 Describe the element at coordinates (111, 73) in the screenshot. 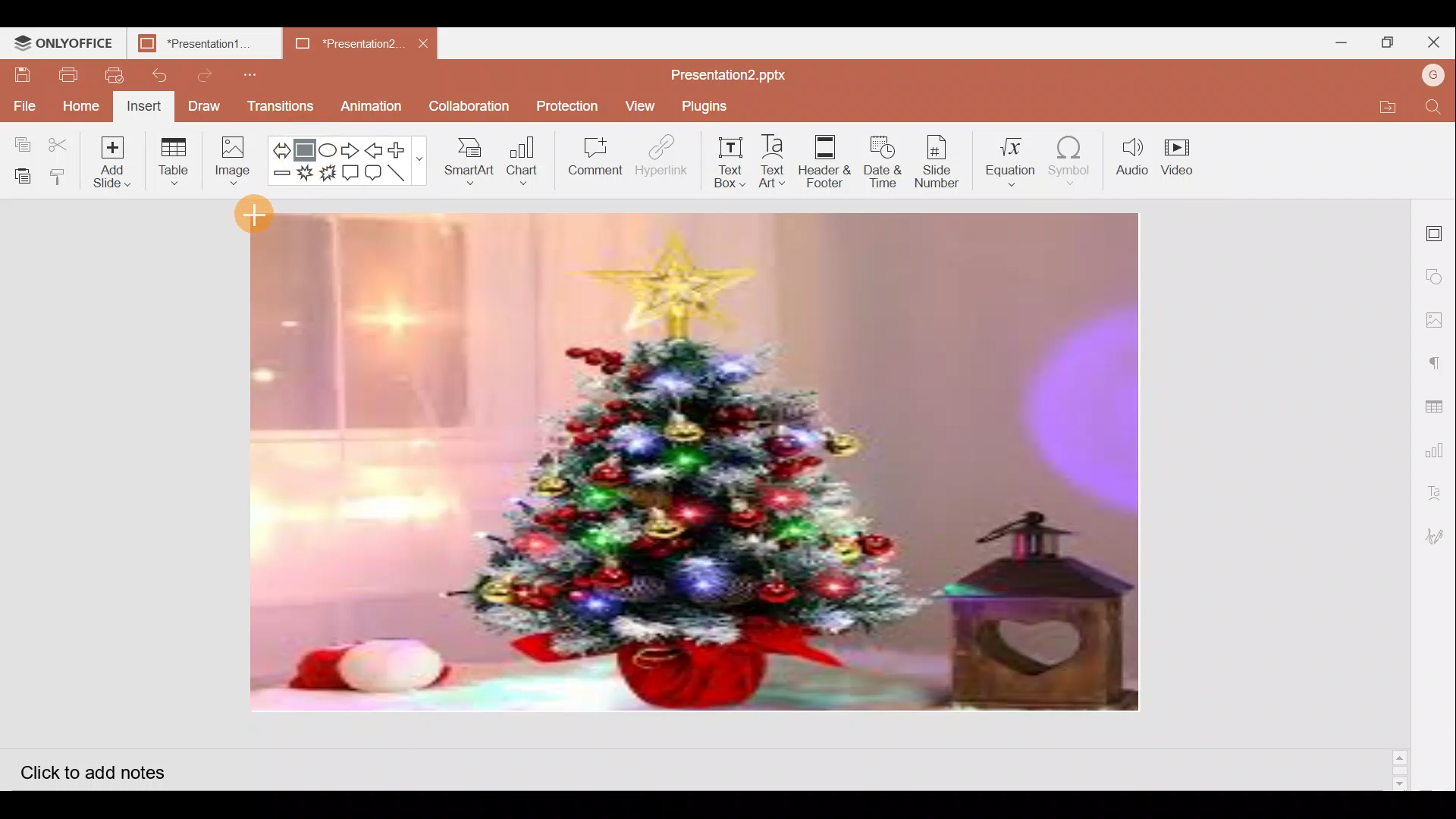

I see `Quick print` at that location.